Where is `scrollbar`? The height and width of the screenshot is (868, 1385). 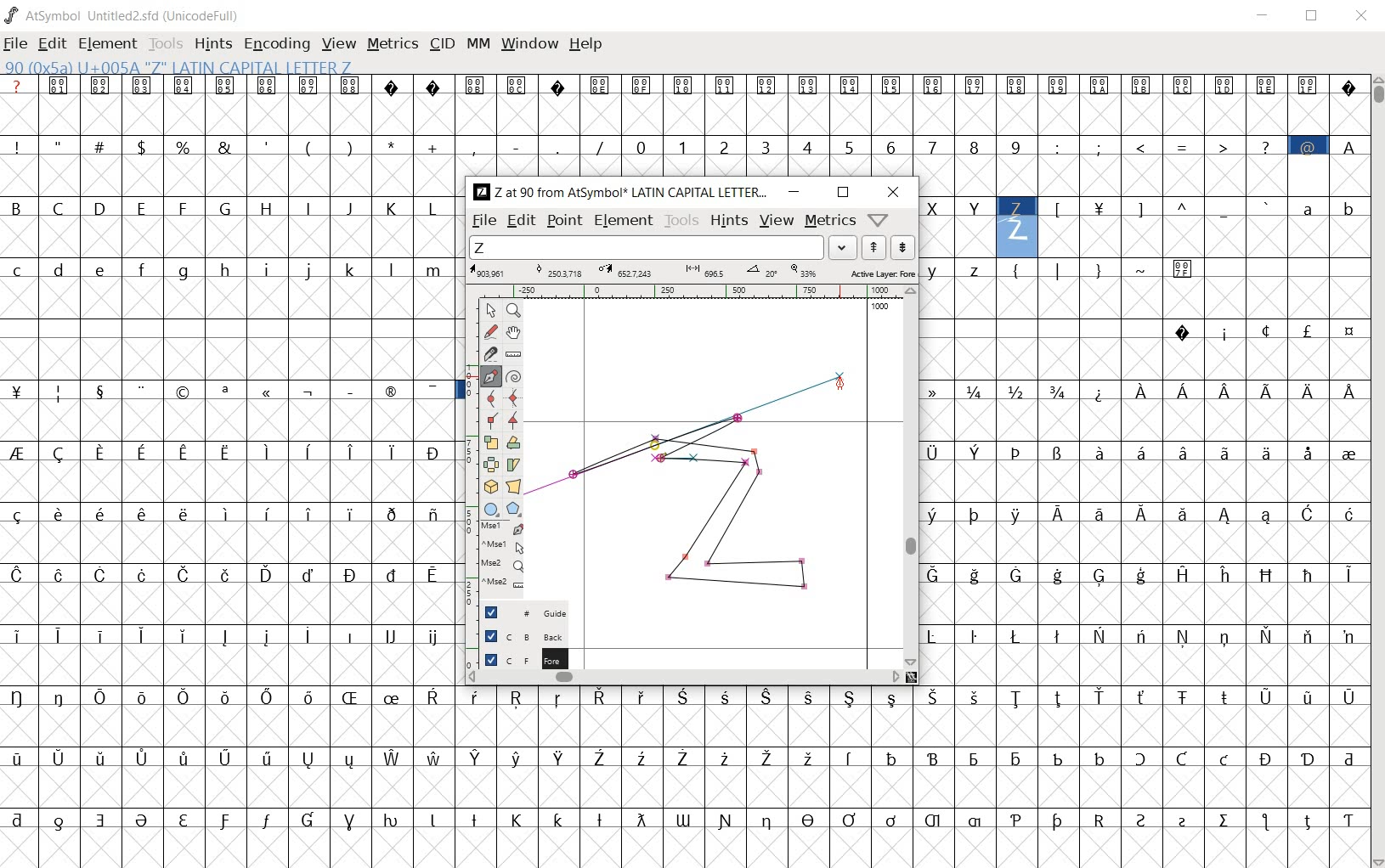 scrollbar is located at coordinates (1377, 470).